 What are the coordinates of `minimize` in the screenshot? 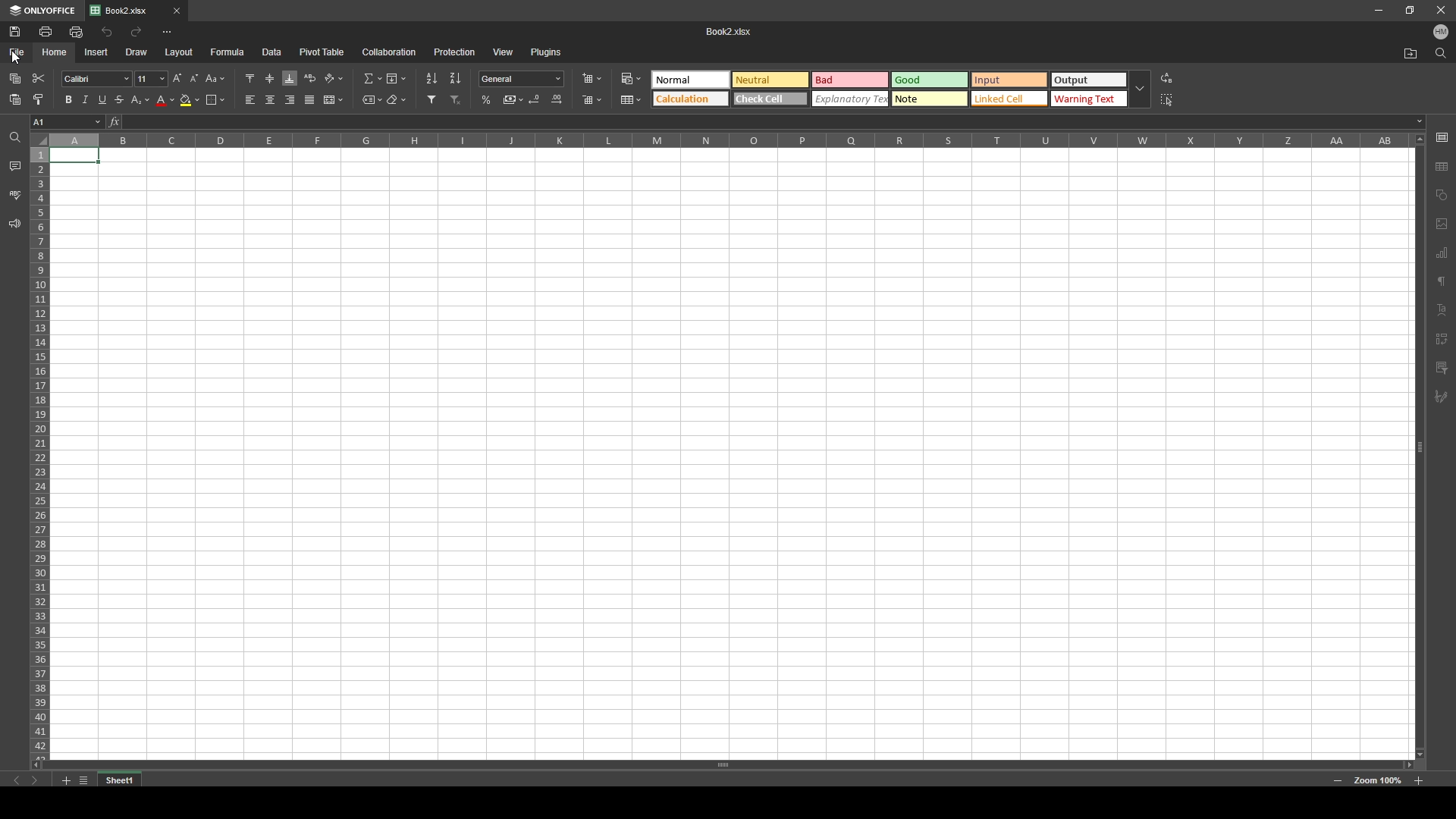 It's located at (1378, 10).